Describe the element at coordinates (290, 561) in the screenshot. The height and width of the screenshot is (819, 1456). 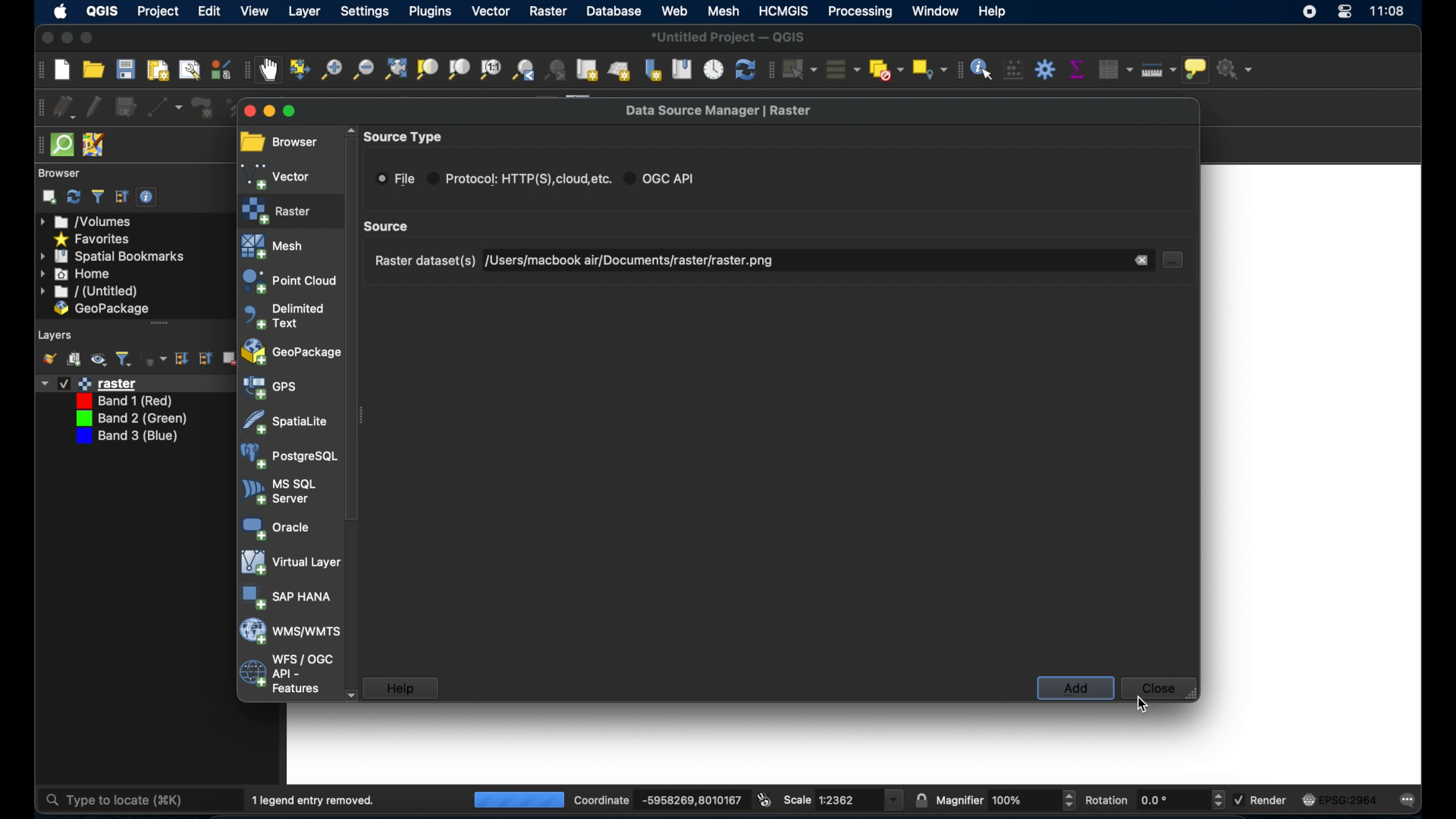
I see `virtual layer` at that location.